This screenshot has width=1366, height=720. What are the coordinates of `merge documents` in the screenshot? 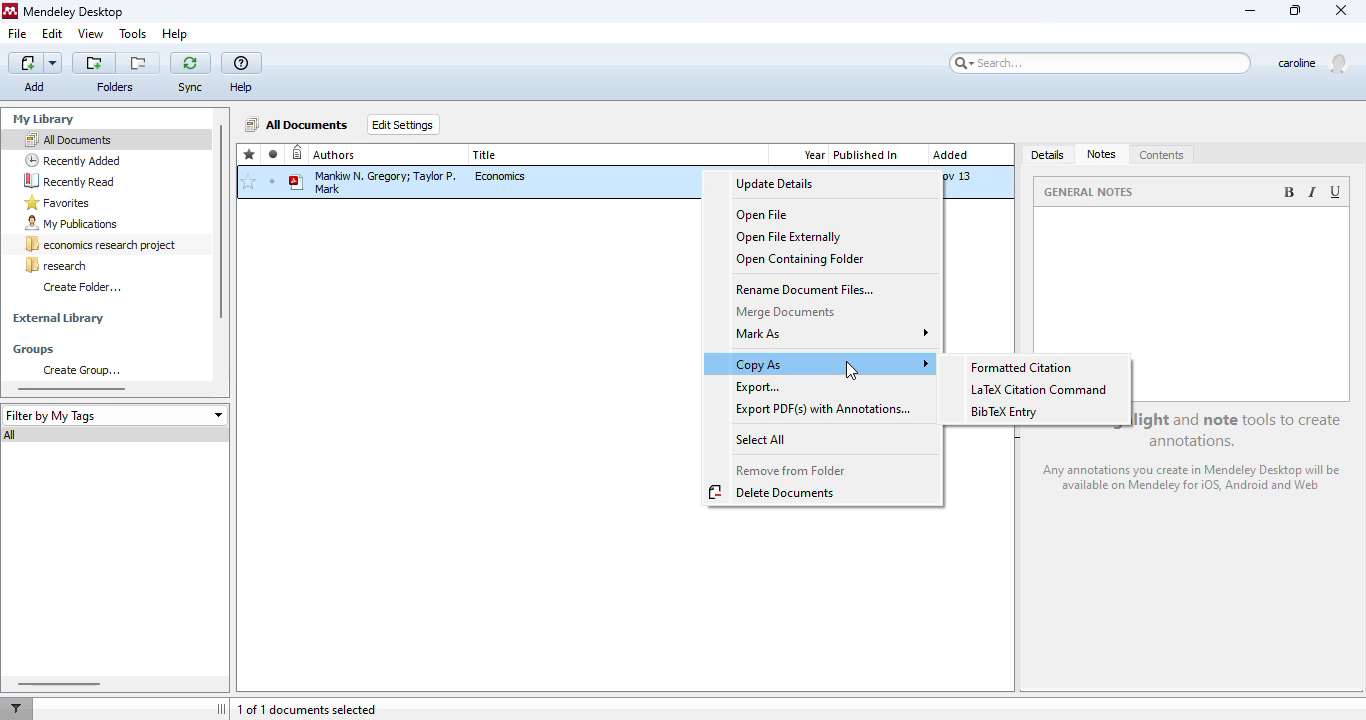 It's located at (785, 312).